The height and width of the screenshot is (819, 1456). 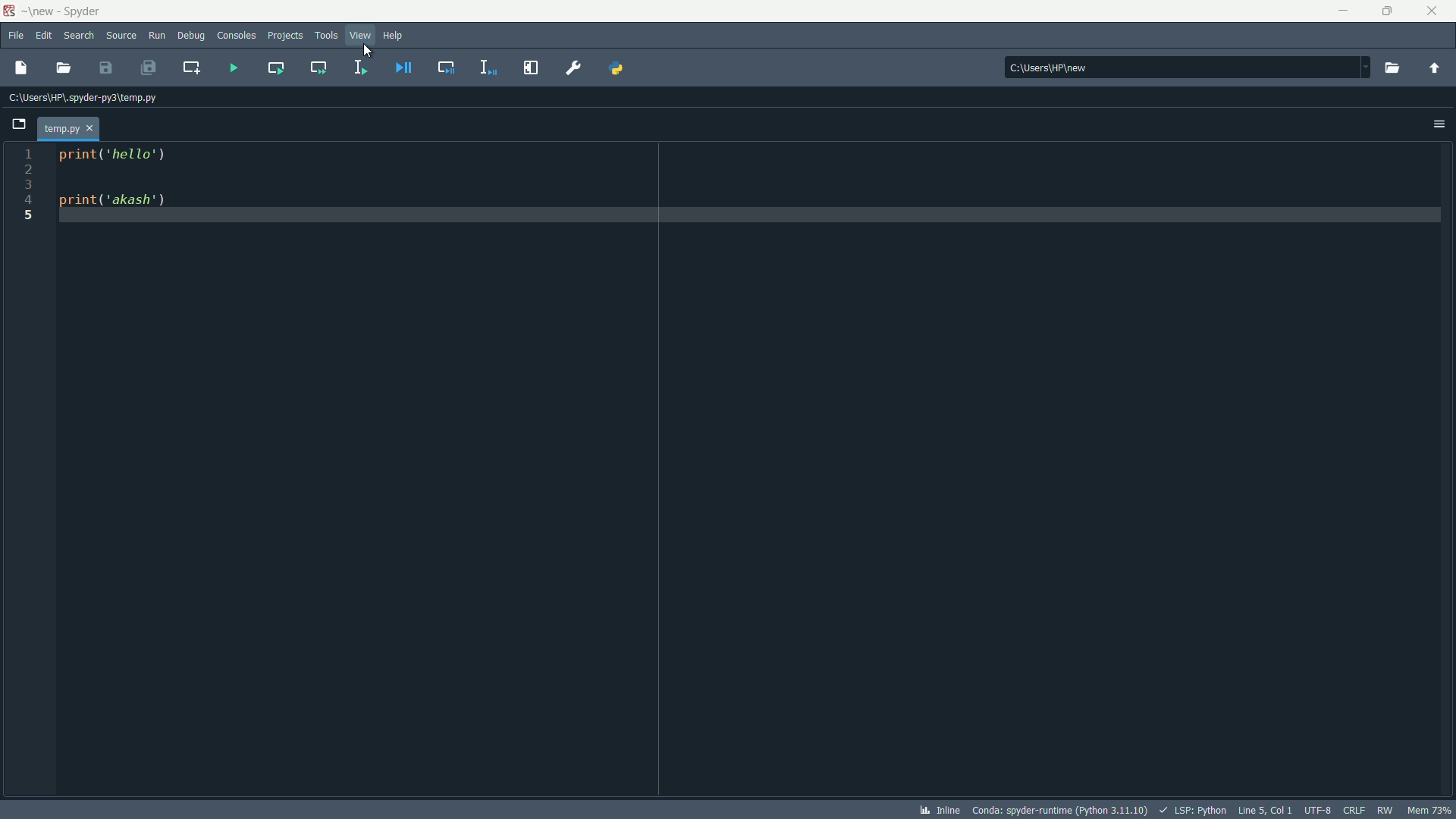 I want to click on run file, so click(x=231, y=65).